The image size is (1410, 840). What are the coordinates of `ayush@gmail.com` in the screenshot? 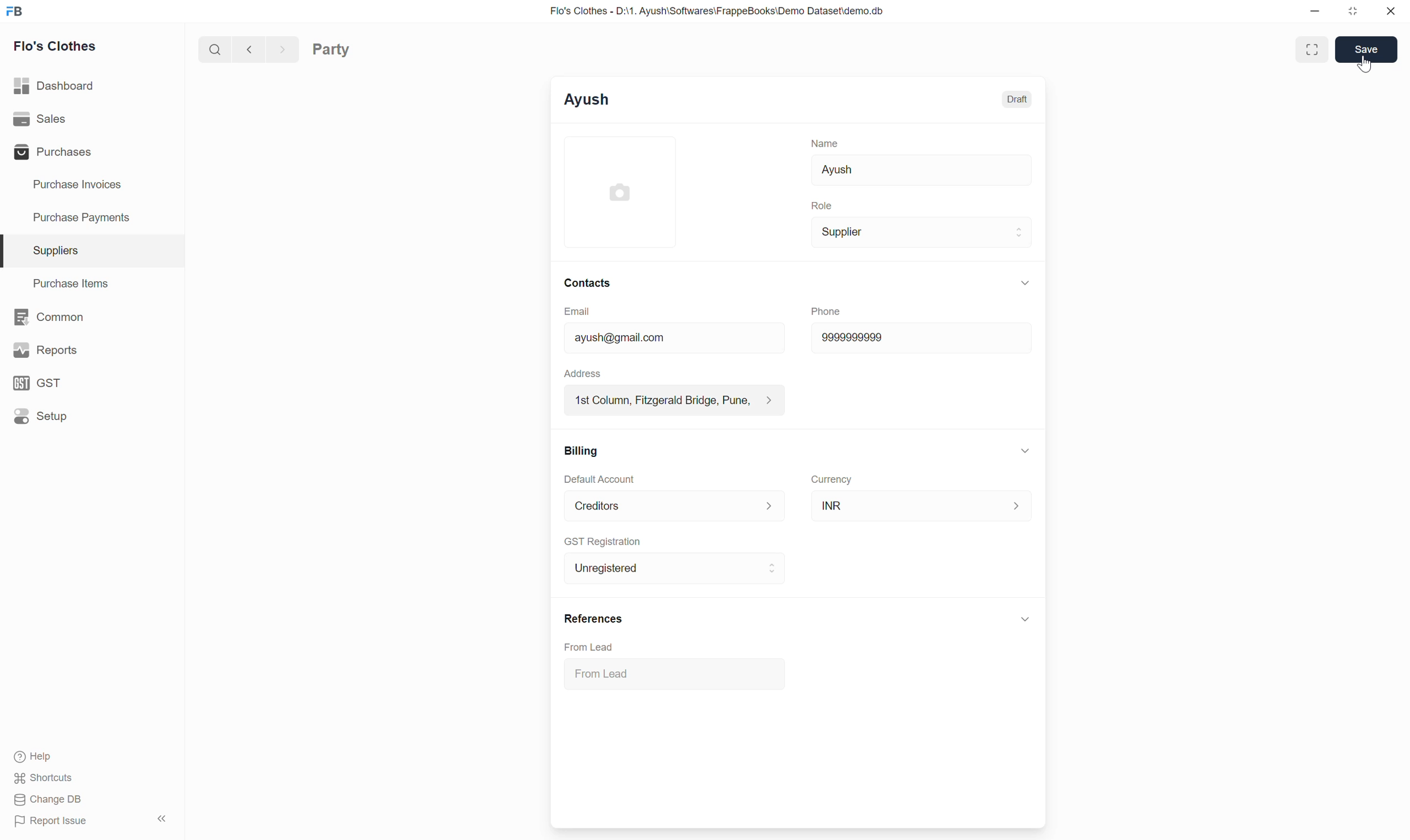 It's located at (674, 337).